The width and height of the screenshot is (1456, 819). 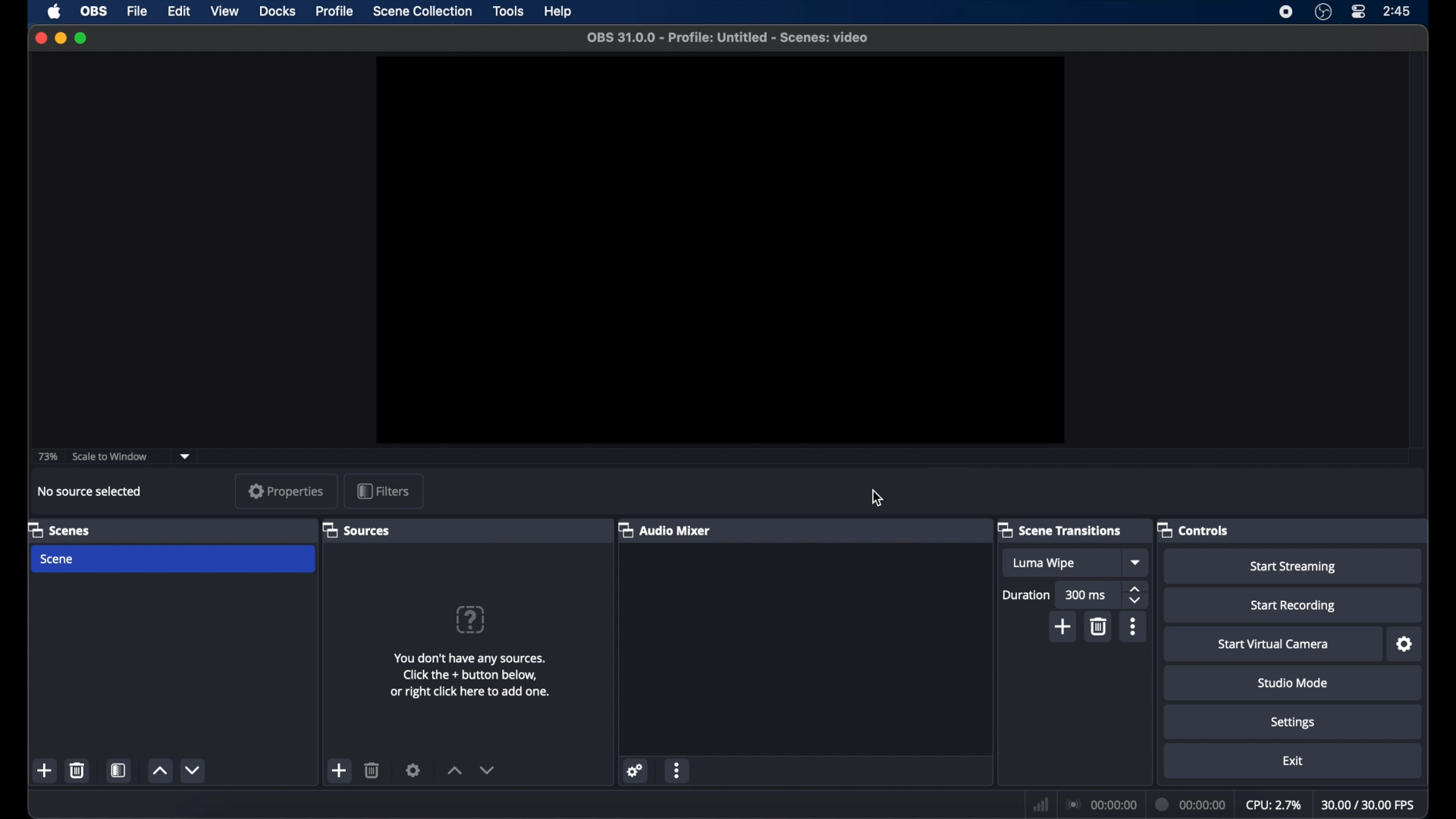 What do you see at coordinates (83, 38) in the screenshot?
I see `maximize` at bounding box center [83, 38].